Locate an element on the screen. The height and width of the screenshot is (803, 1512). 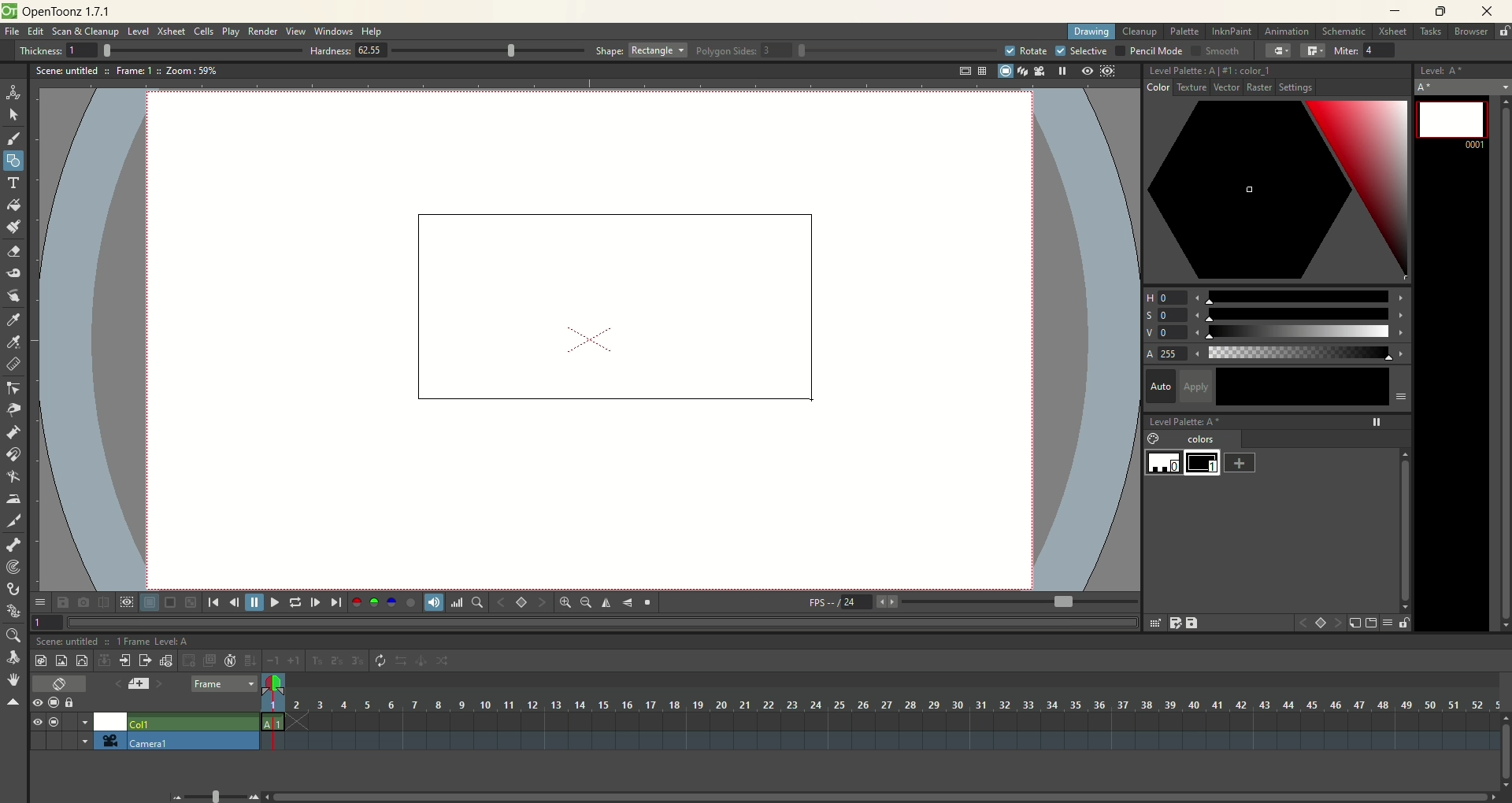
save image is located at coordinates (65, 602).